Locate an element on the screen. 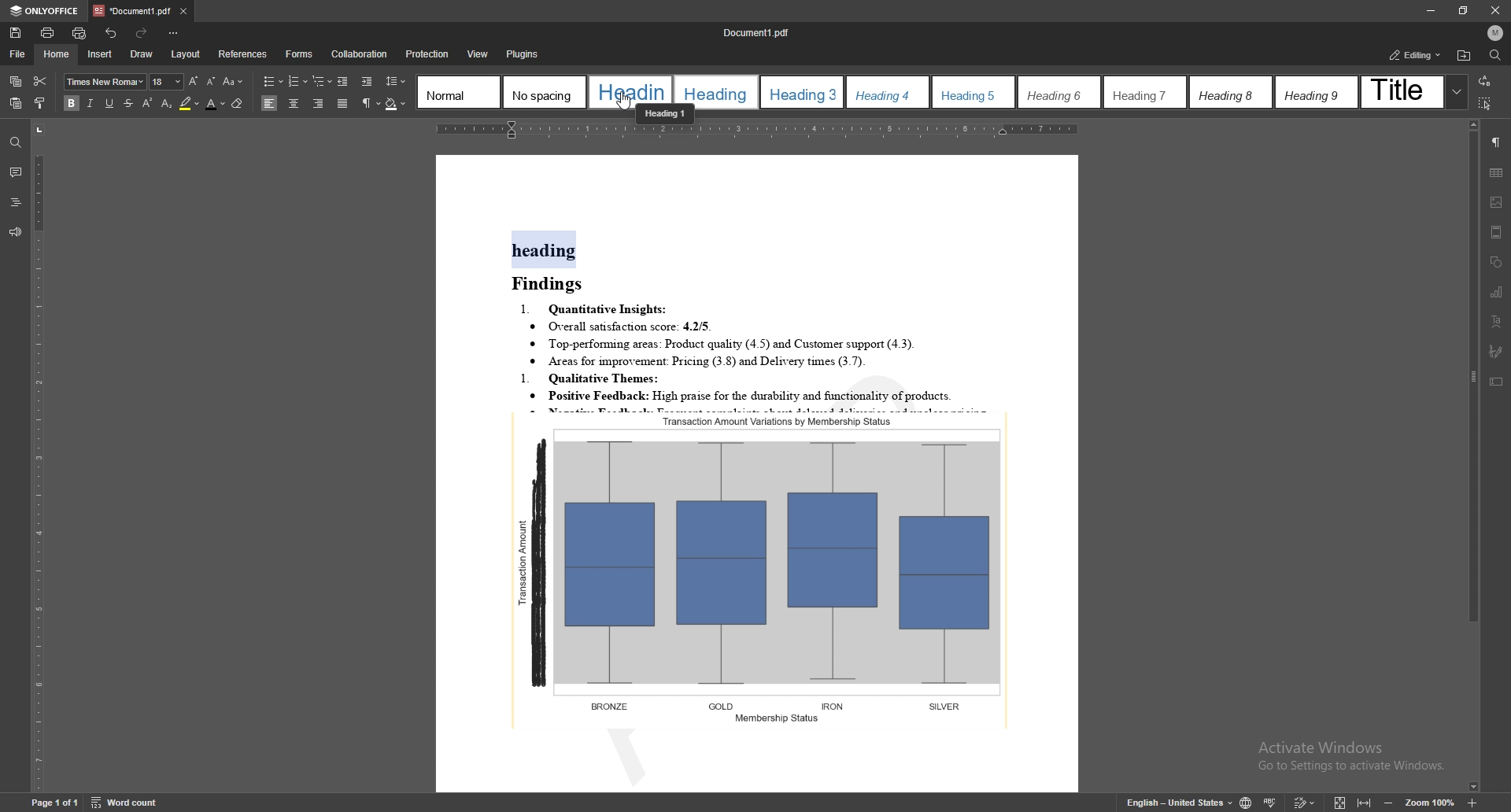 The height and width of the screenshot is (812, 1511). references is located at coordinates (242, 54).